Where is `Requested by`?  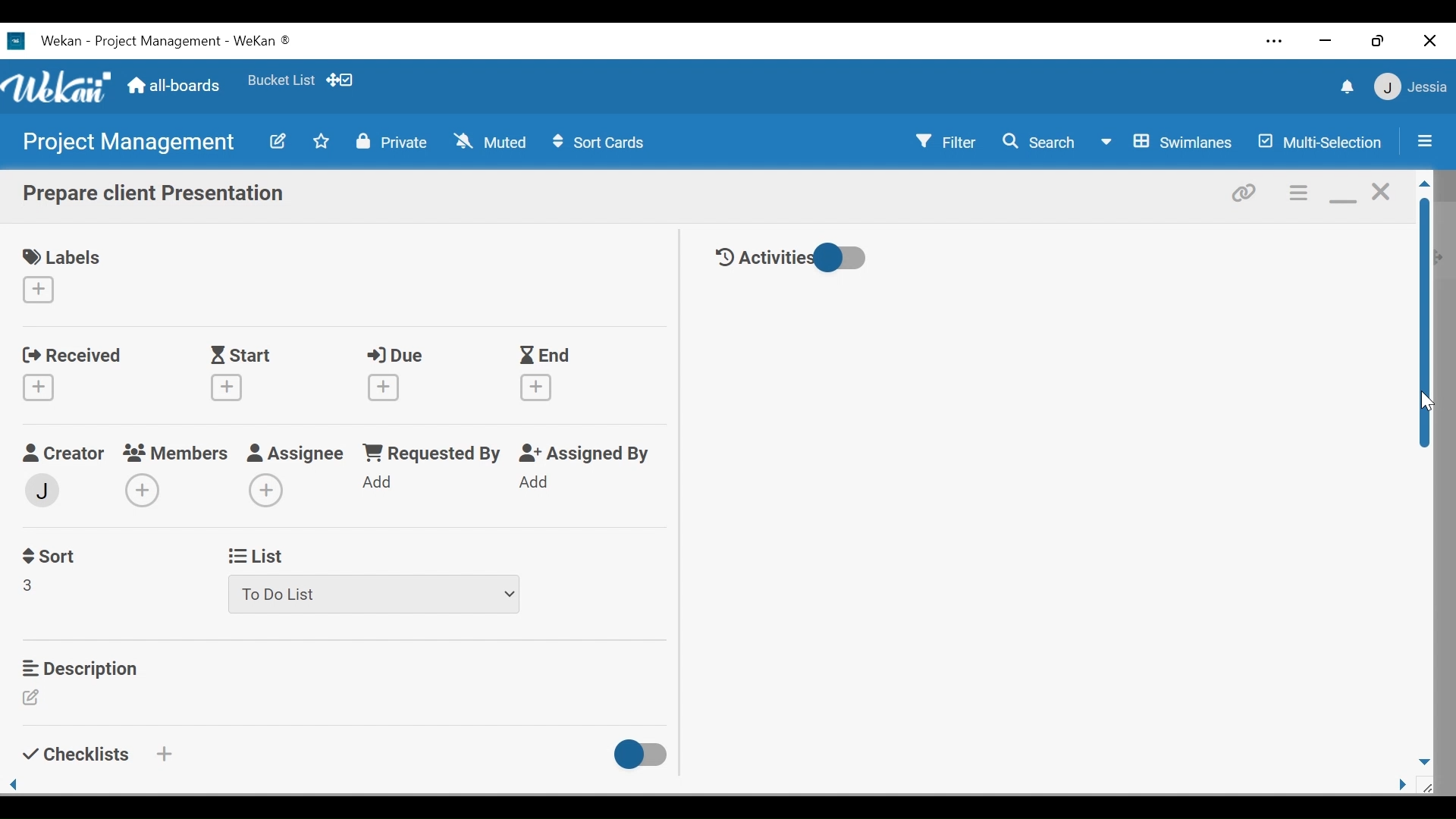
Requested by is located at coordinates (430, 453).